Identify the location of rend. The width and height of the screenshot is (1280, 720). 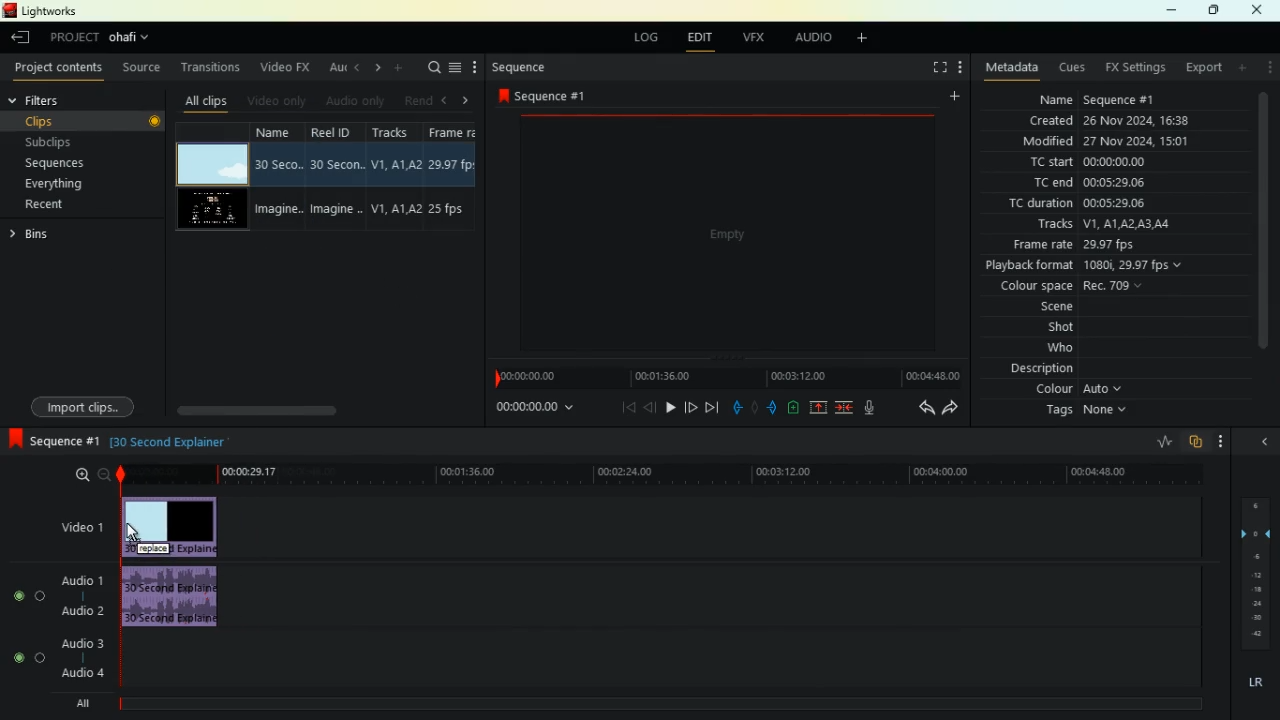
(420, 101).